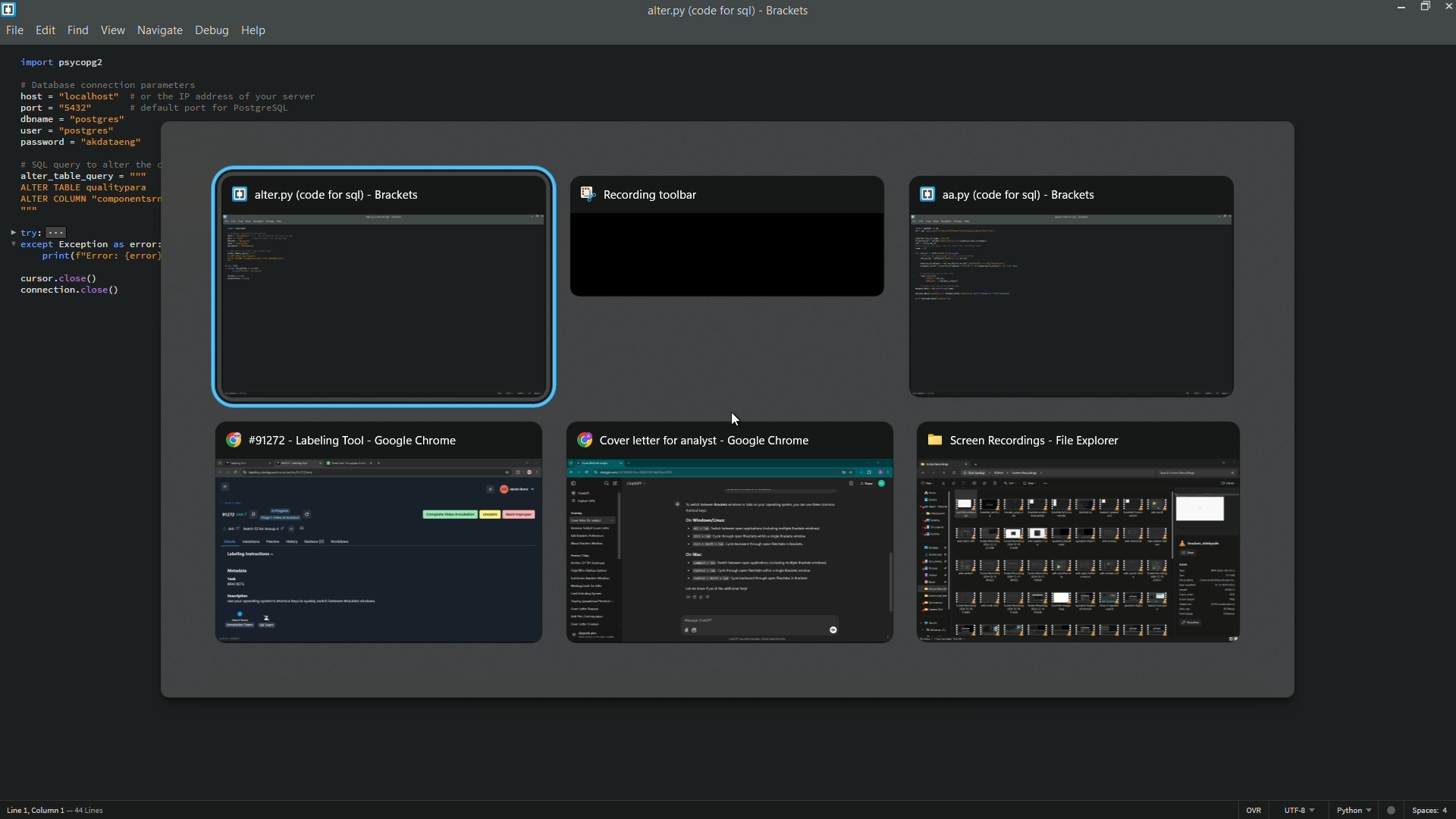  I want to click on screen recording-file explorer window, so click(1080, 534).